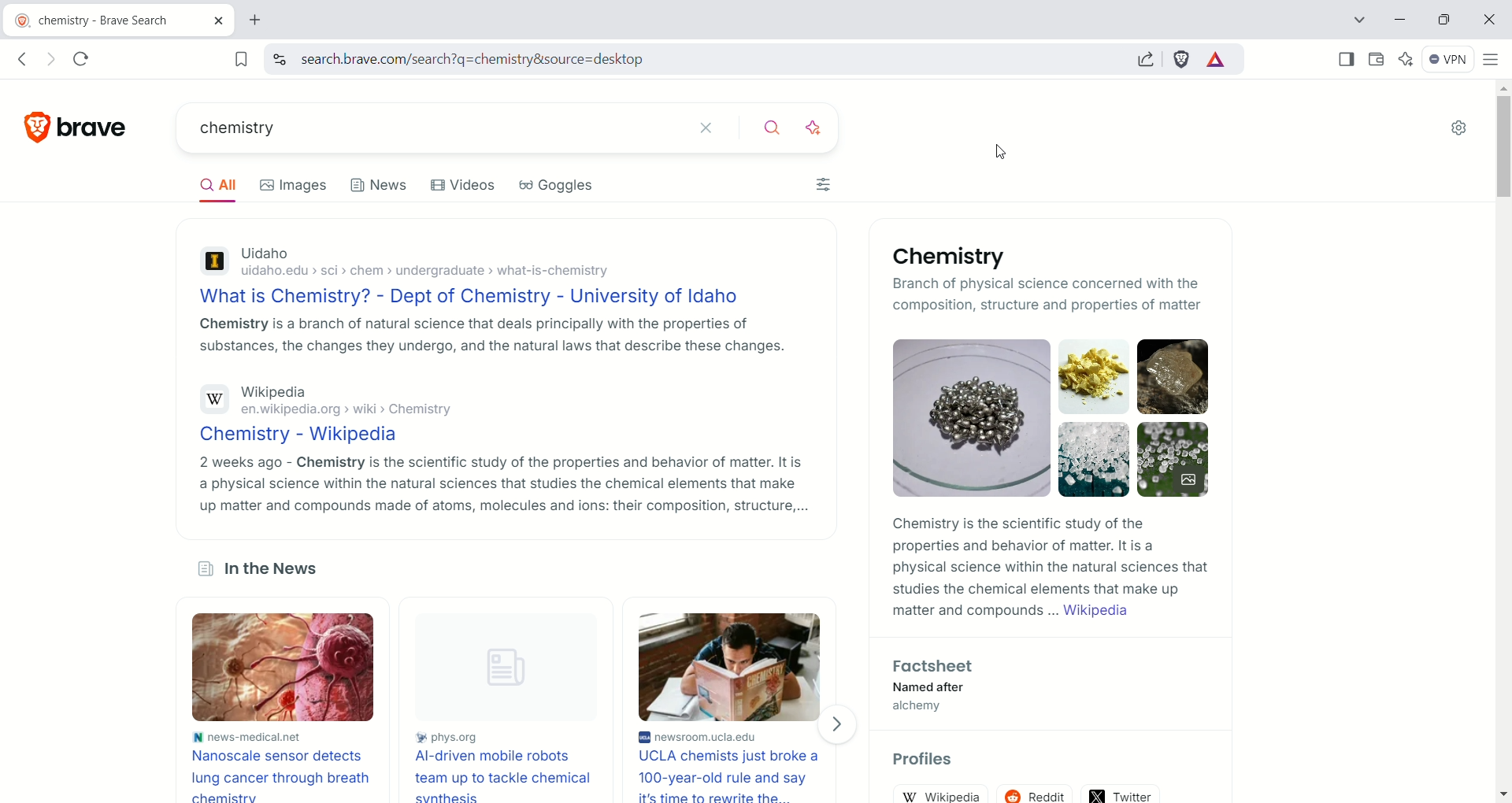 This screenshot has height=803, width=1512. Describe the element at coordinates (286, 735) in the screenshot. I see `news-medical.net` at that location.